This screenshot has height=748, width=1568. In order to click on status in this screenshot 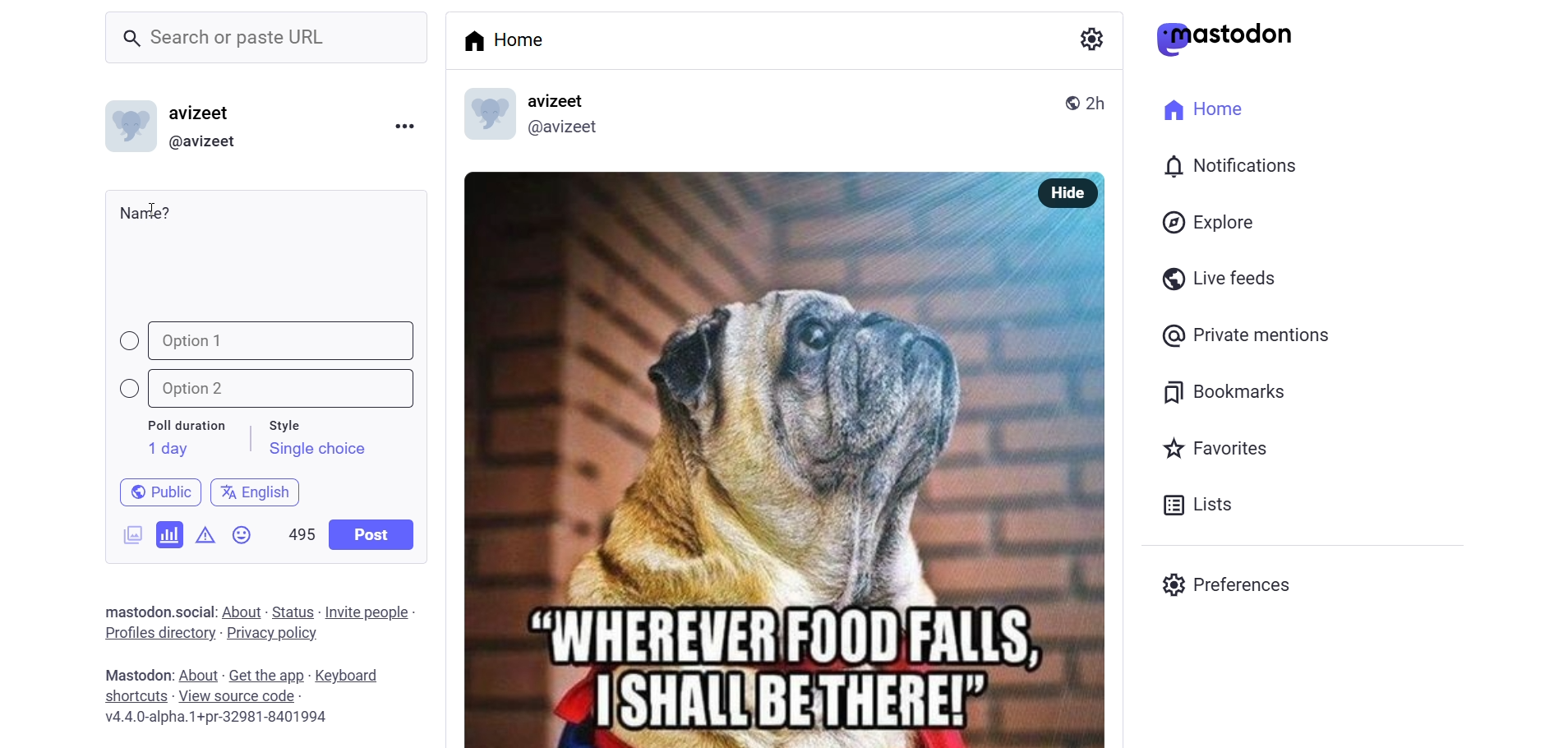, I will do `click(293, 612)`.